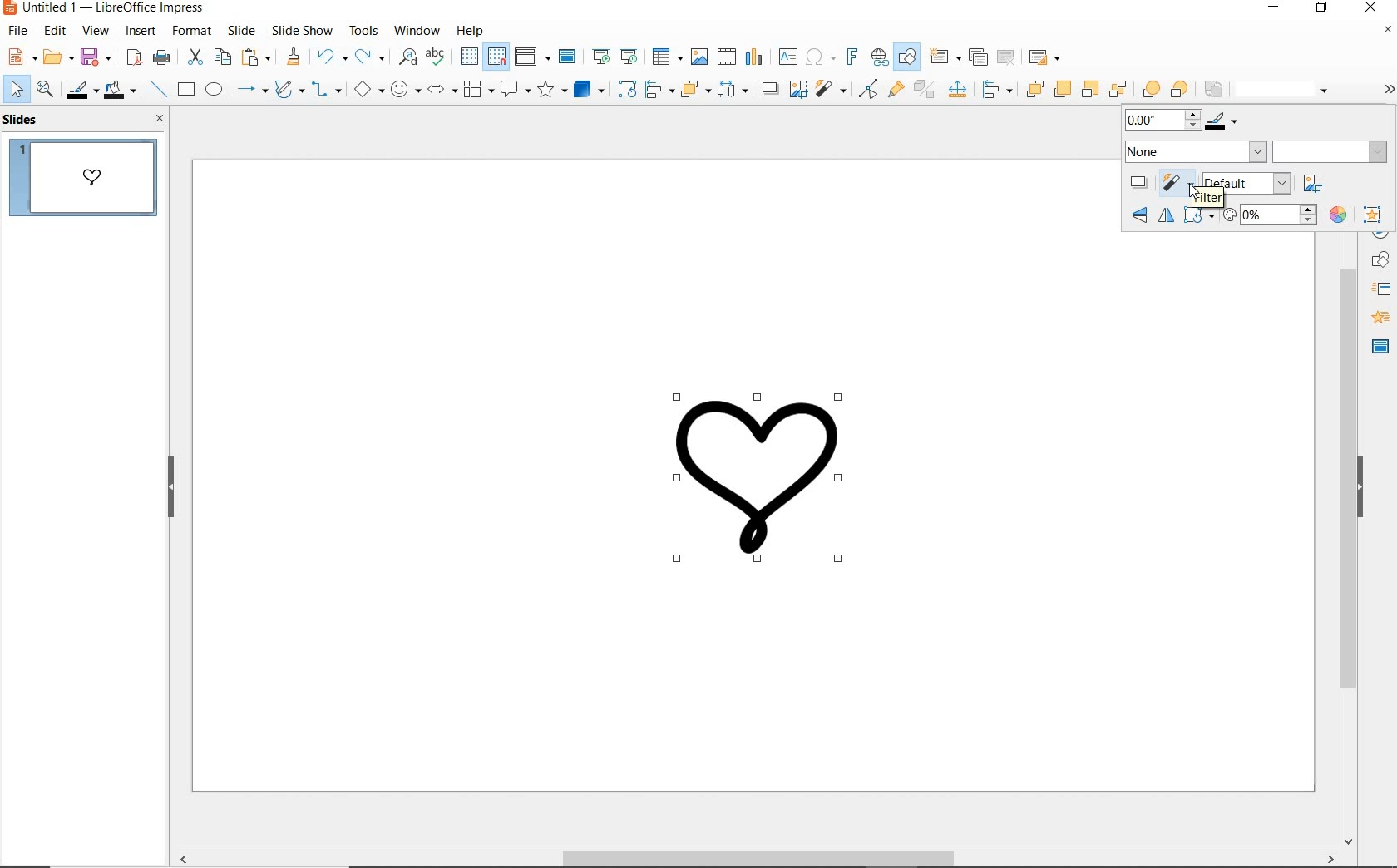  What do you see at coordinates (726, 57) in the screenshot?
I see `insert video` at bounding box center [726, 57].